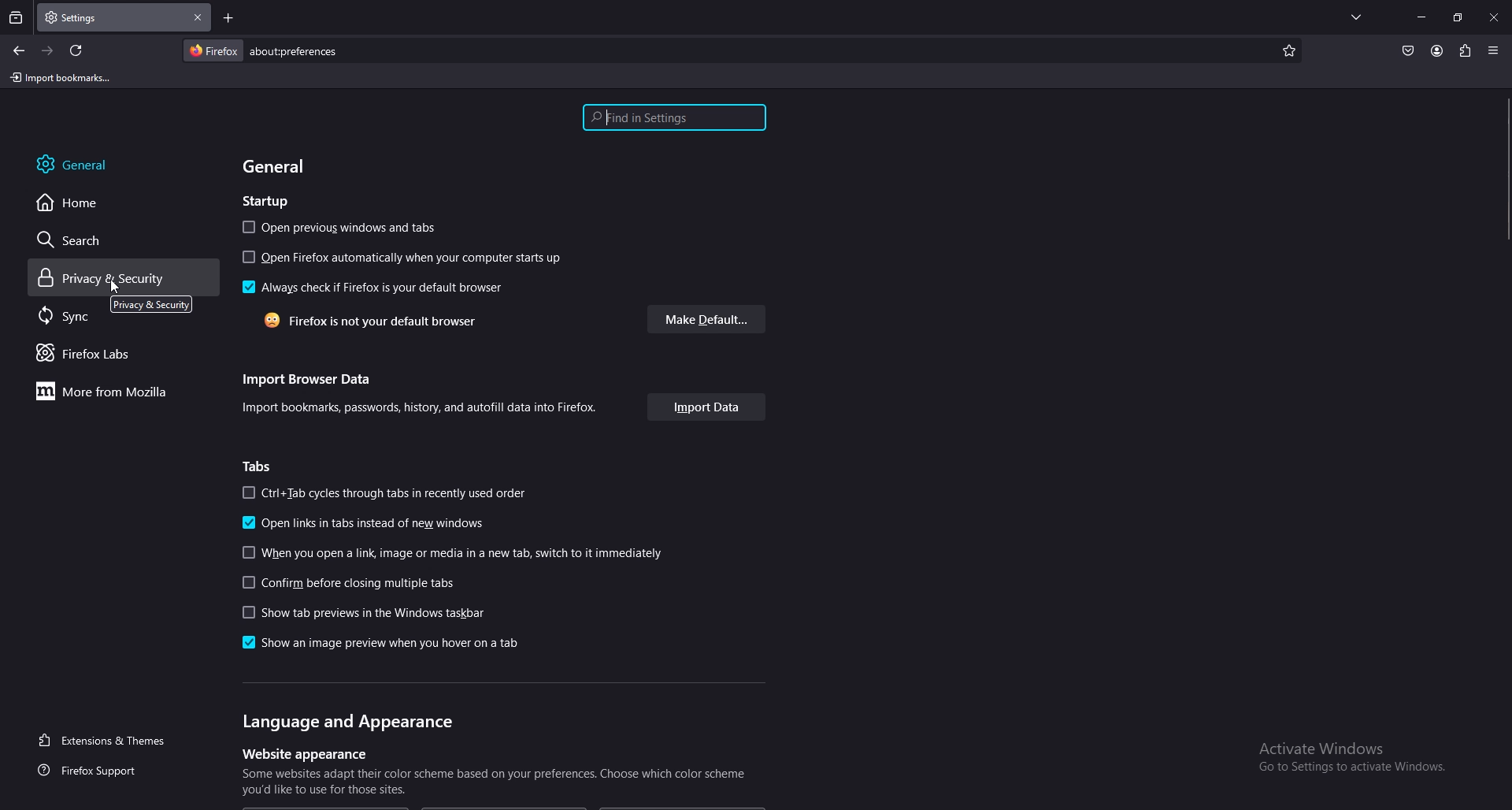 The height and width of the screenshot is (810, 1512). What do you see at coordinates (378, 321) in the screenshot?
I see `firefox is not your default browser` at bounding box center [378, 321].